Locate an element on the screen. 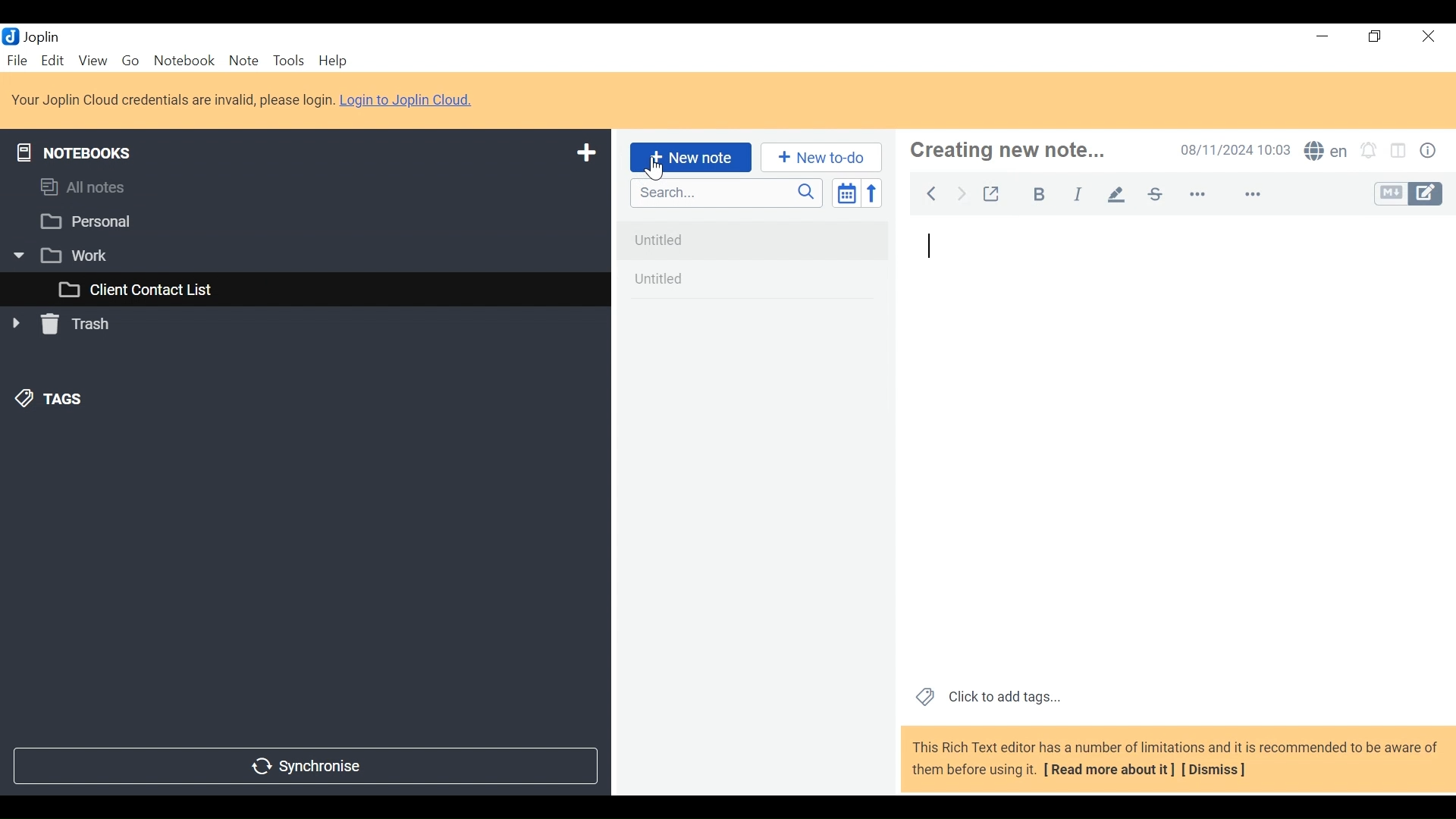  Tags is located at coordinates (46, 401).